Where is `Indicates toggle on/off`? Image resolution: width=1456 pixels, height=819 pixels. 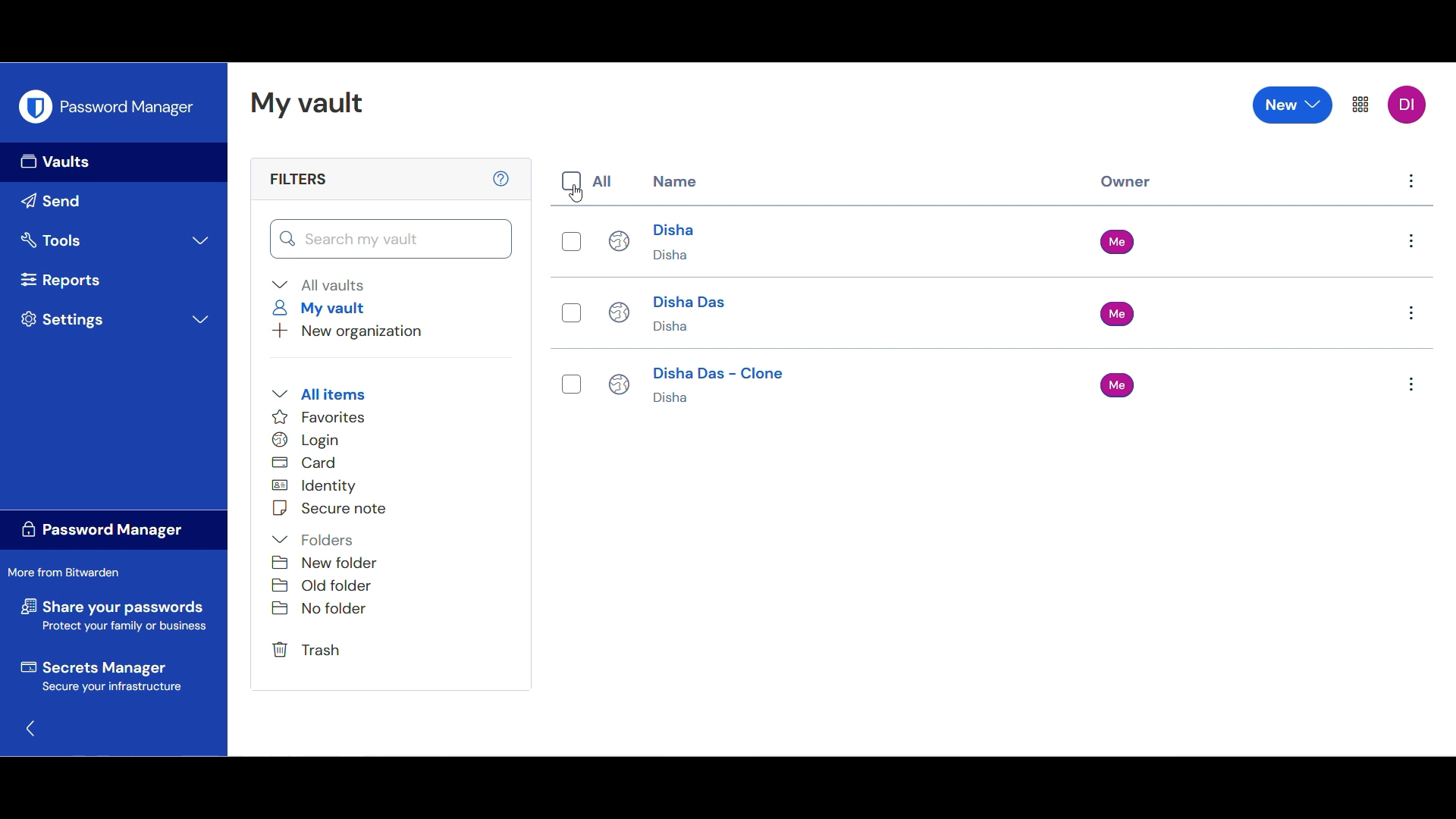 Indicates toggle on/off is located at coordinates (571, 181).